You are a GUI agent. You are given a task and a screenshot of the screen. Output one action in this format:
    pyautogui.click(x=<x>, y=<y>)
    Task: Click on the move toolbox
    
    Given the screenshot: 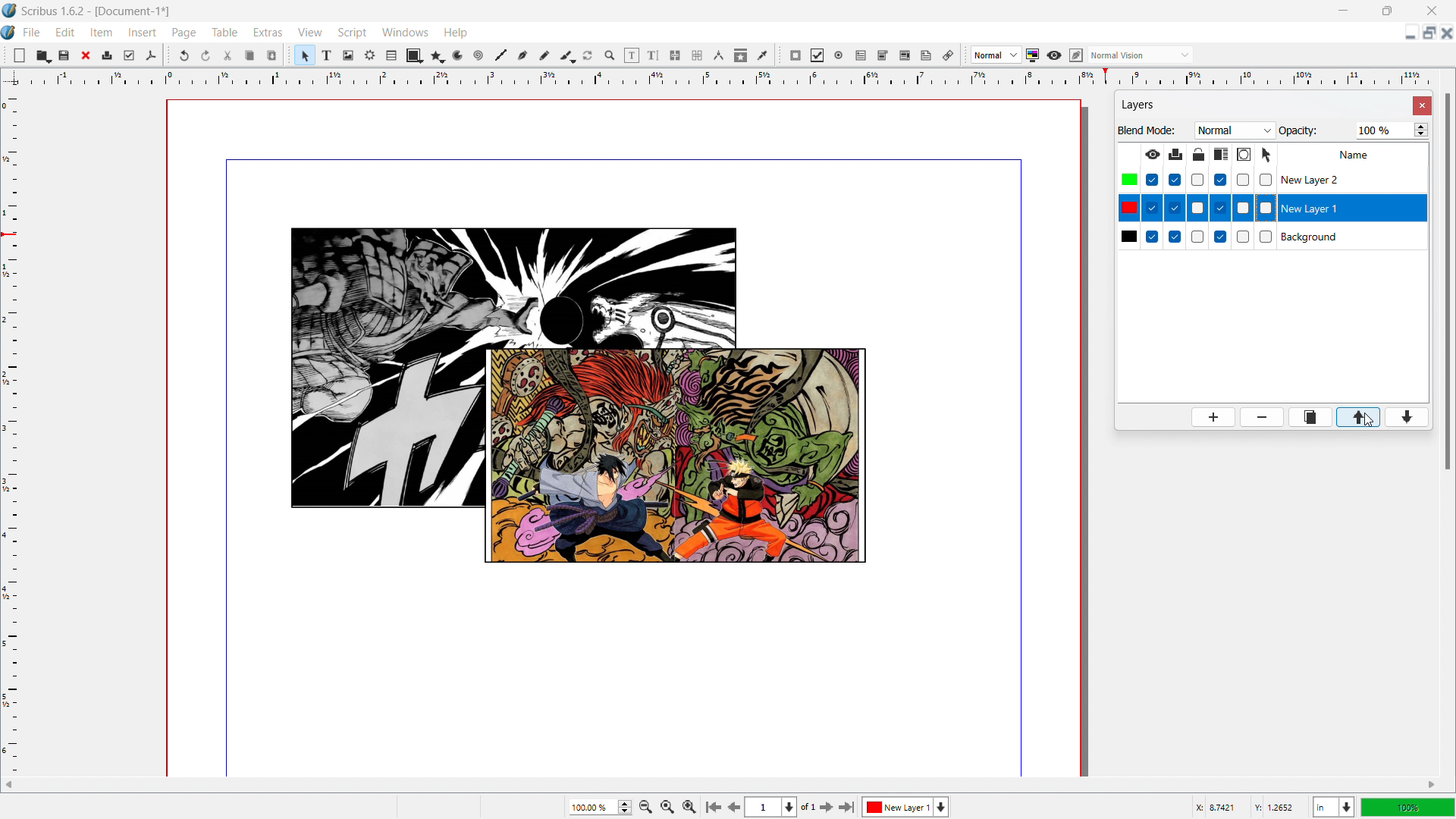 What is the action you would take?
    pyautogui.click(x=964, y=55)
    